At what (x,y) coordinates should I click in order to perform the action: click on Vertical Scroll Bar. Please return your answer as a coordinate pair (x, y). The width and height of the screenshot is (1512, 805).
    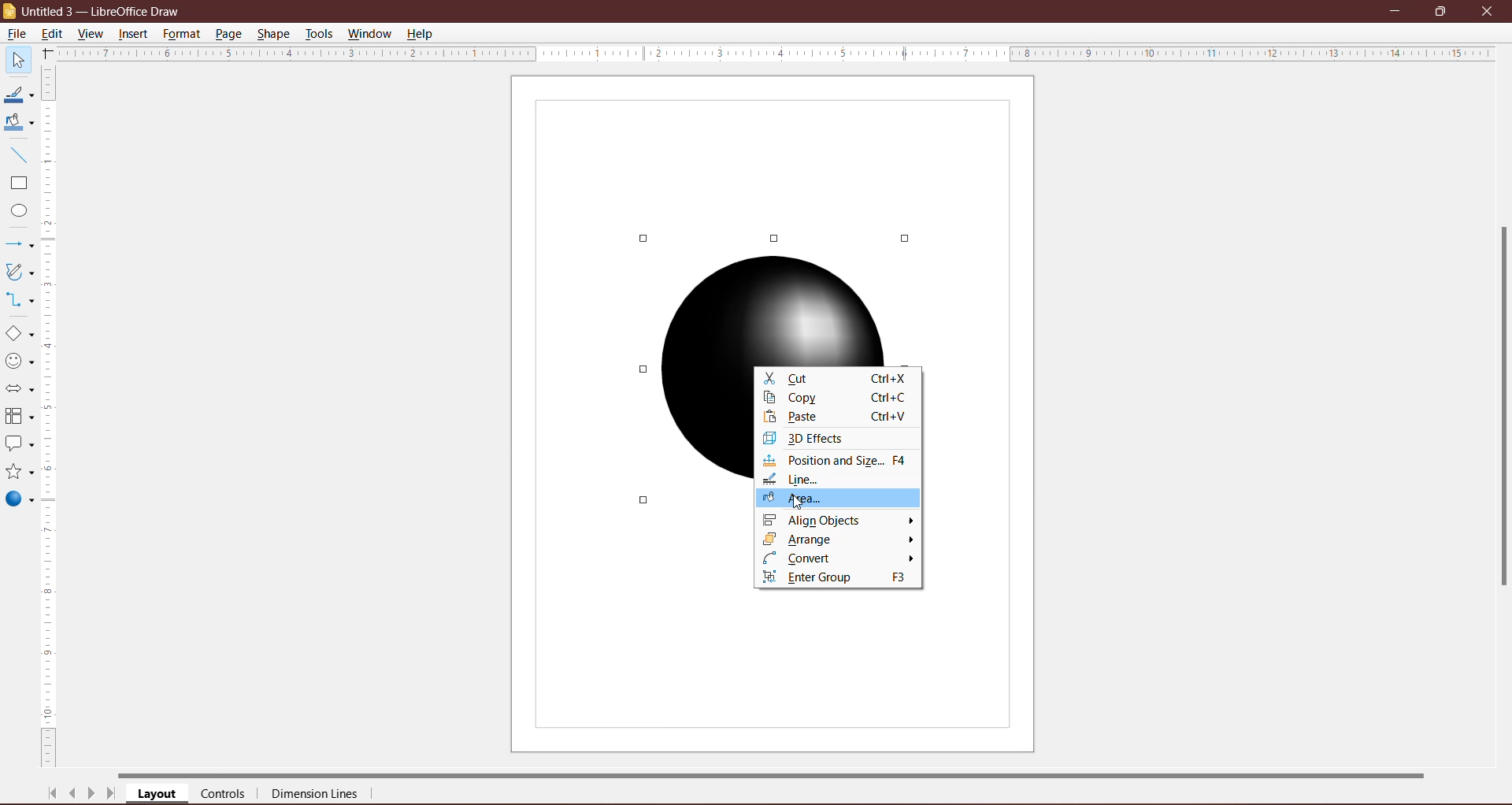
    Looking at the image, I should click on (50, 417).